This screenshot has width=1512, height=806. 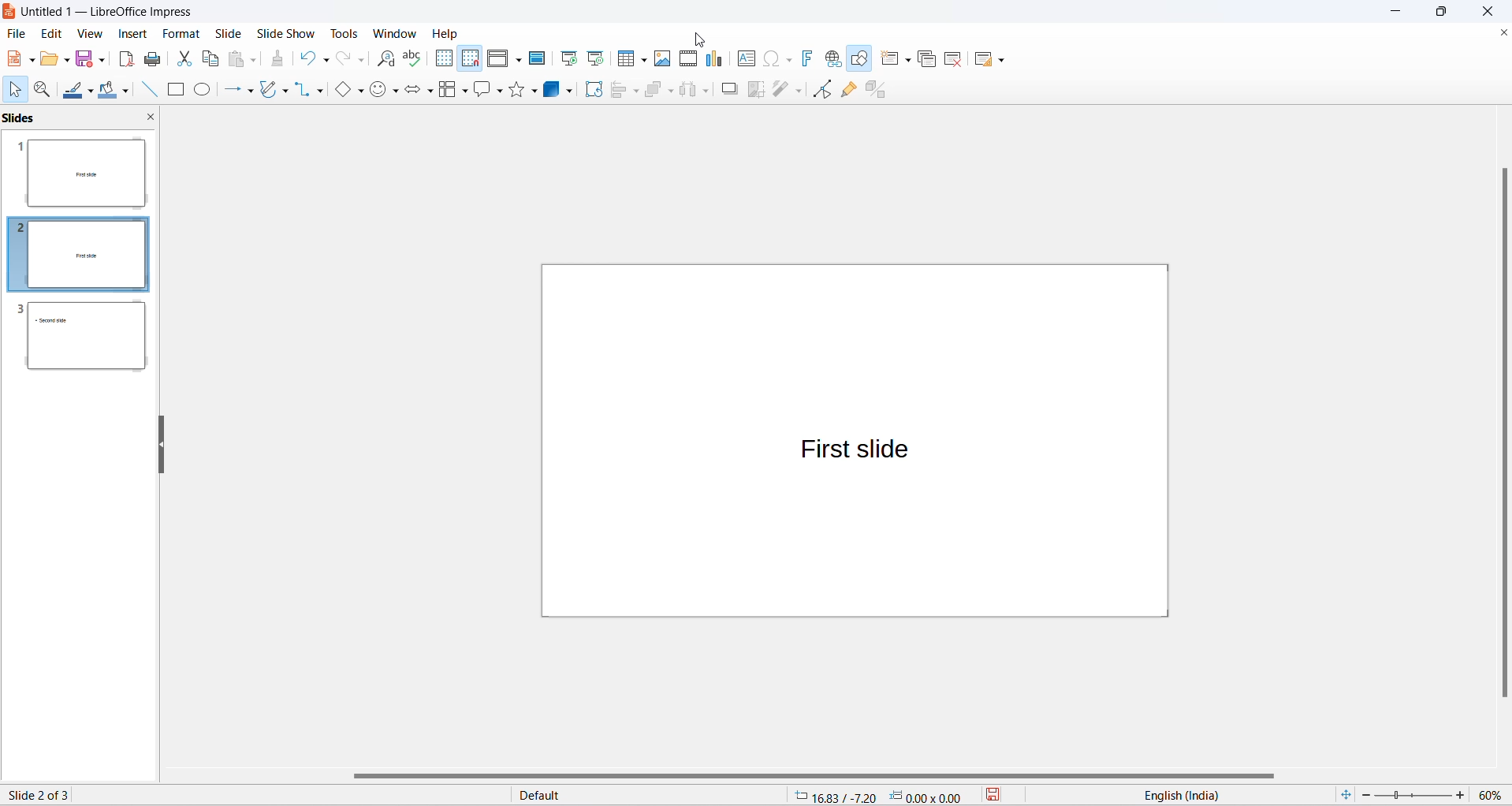 I want to click on start from current slide, so click(x=598, y=58).